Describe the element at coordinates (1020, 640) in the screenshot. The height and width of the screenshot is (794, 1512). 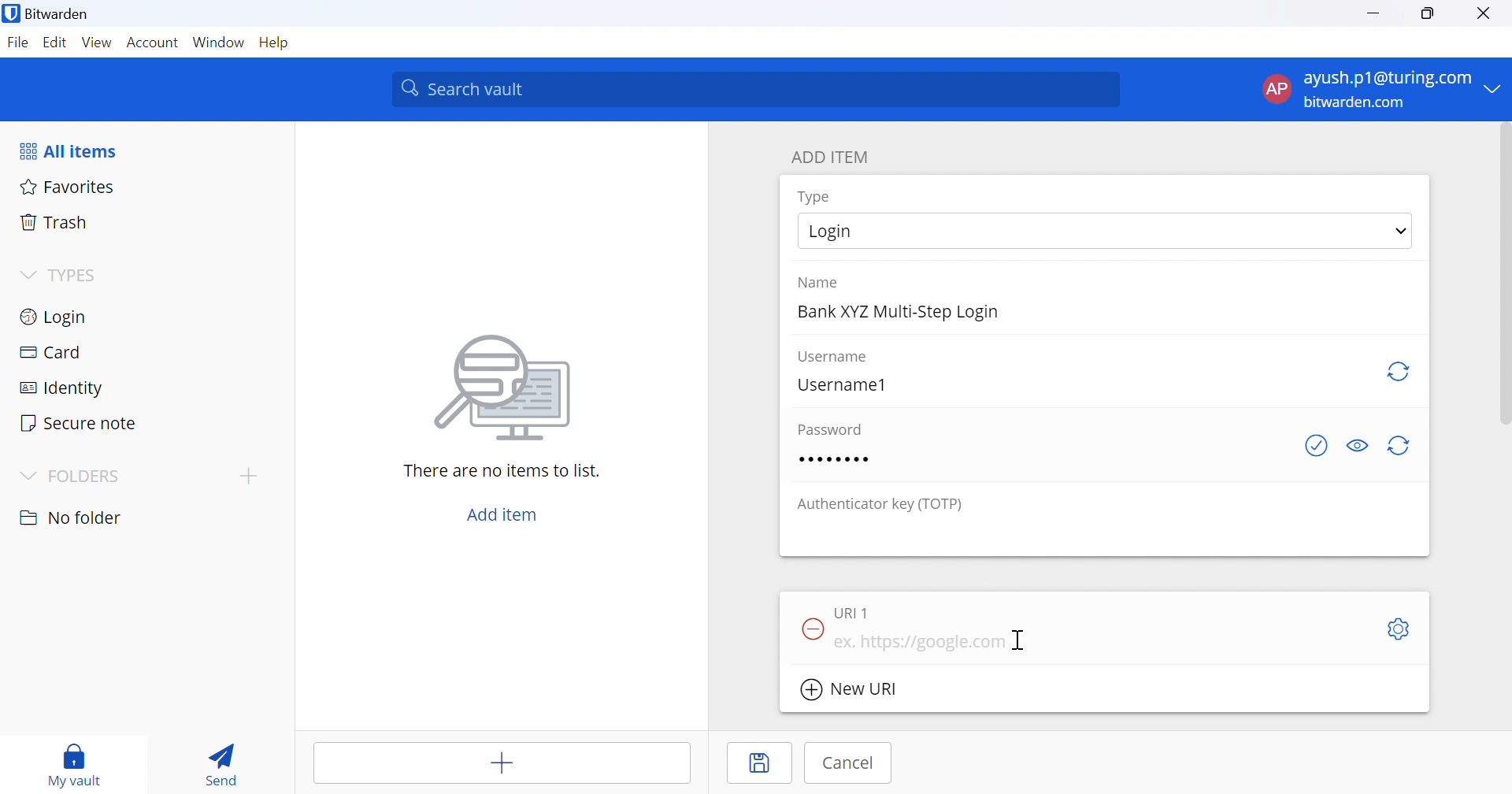
I see `Cursor` at that location.